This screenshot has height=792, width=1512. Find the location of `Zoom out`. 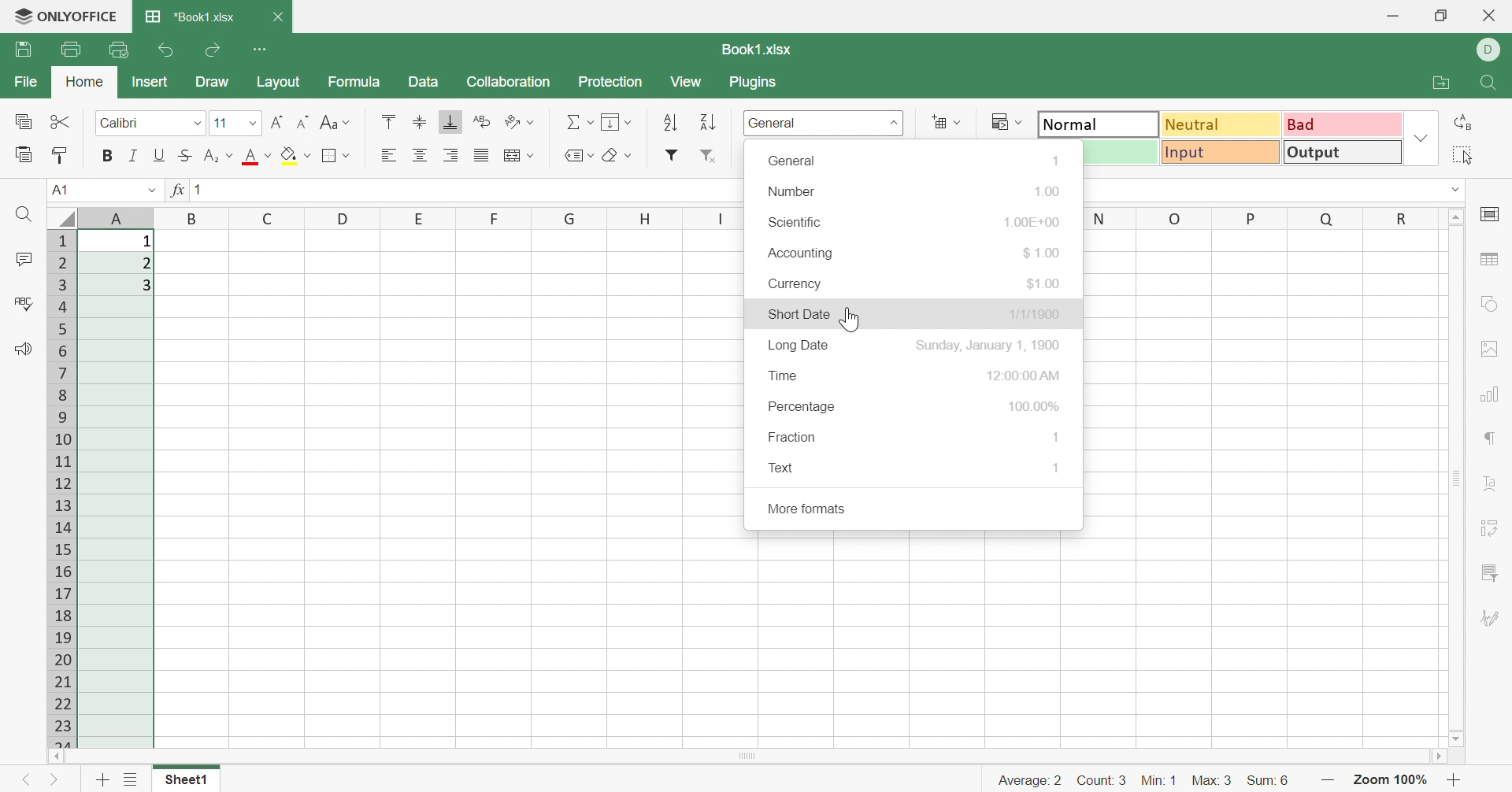

Zoom out is located at coordinates (1330, 783).